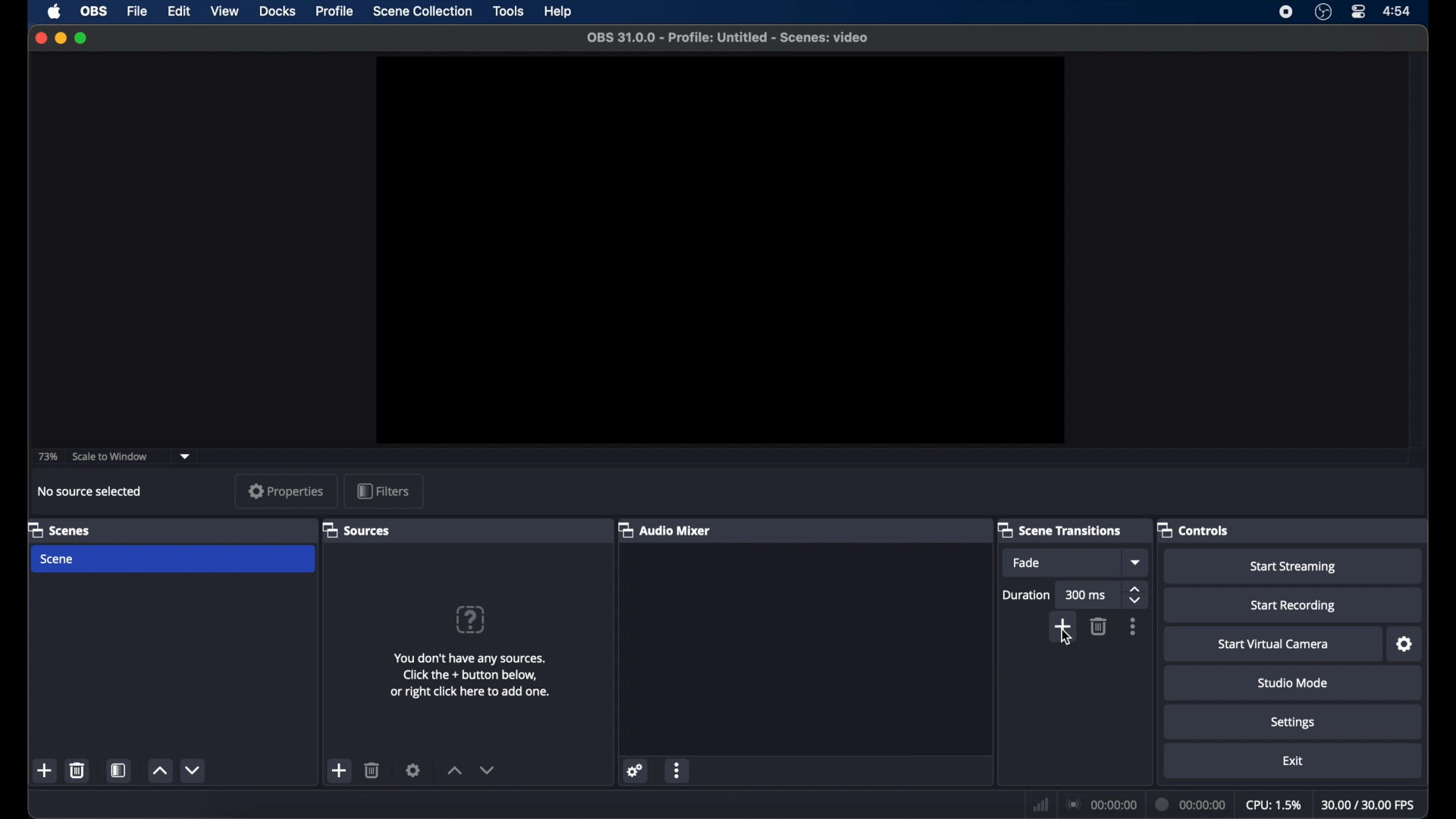 The height and width of the screenshot is (819, 1456). I want to click on connection, so click(1100, 805).